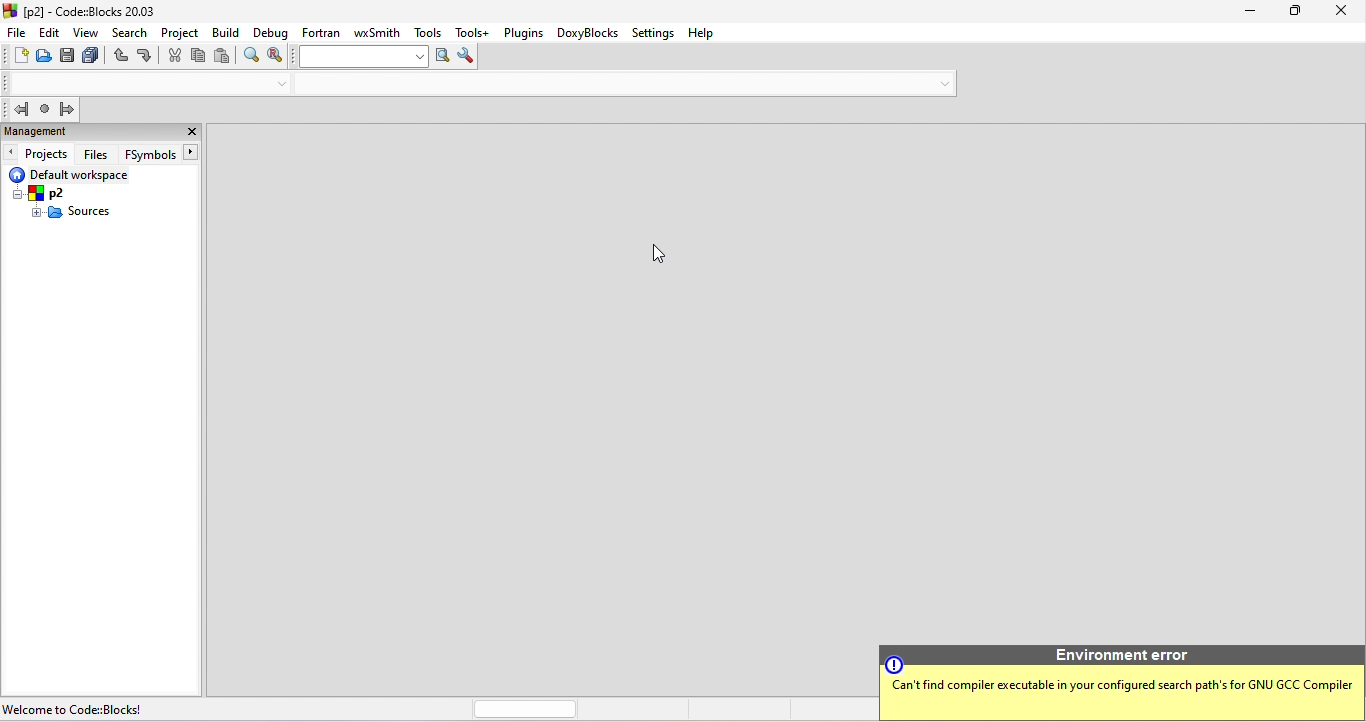 The height and width of the screenshot is (722, 1366). Describe the element at coordinates (45, 193) in the screenshot. I see `p2` at that location.